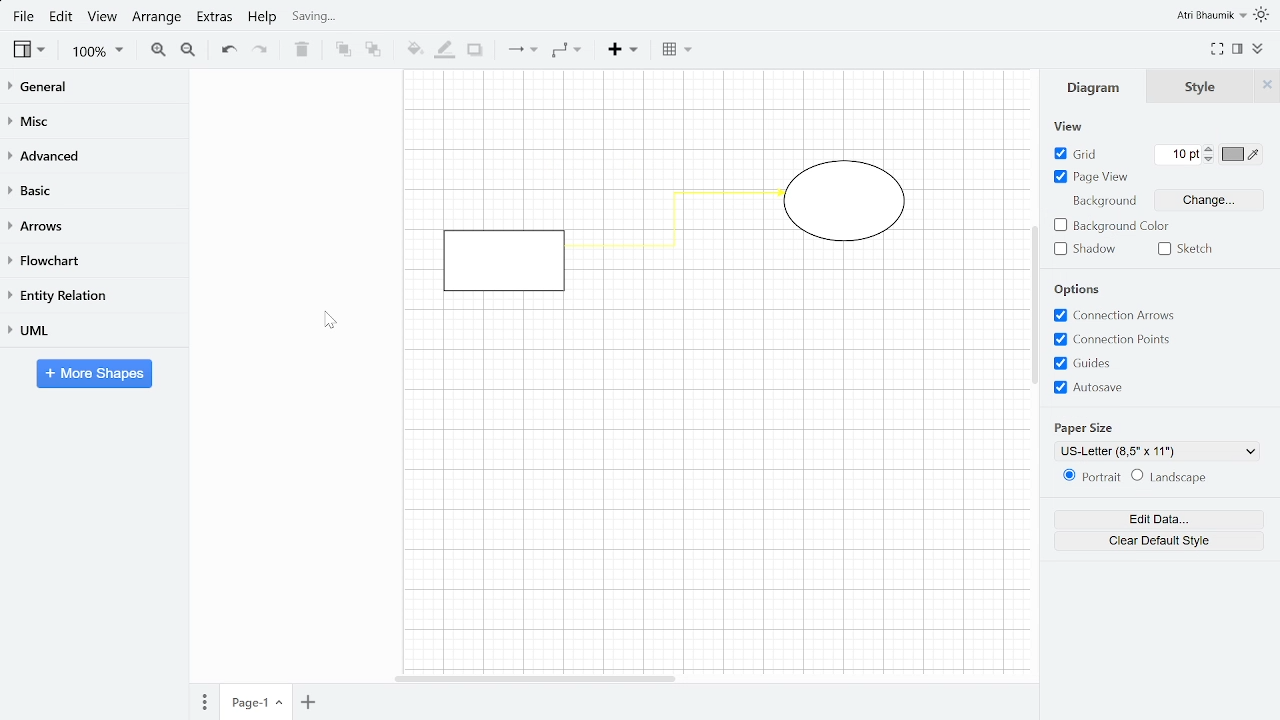 This screenshot has height=720, width=1280. I want to click on cursor, so click(332, 319).